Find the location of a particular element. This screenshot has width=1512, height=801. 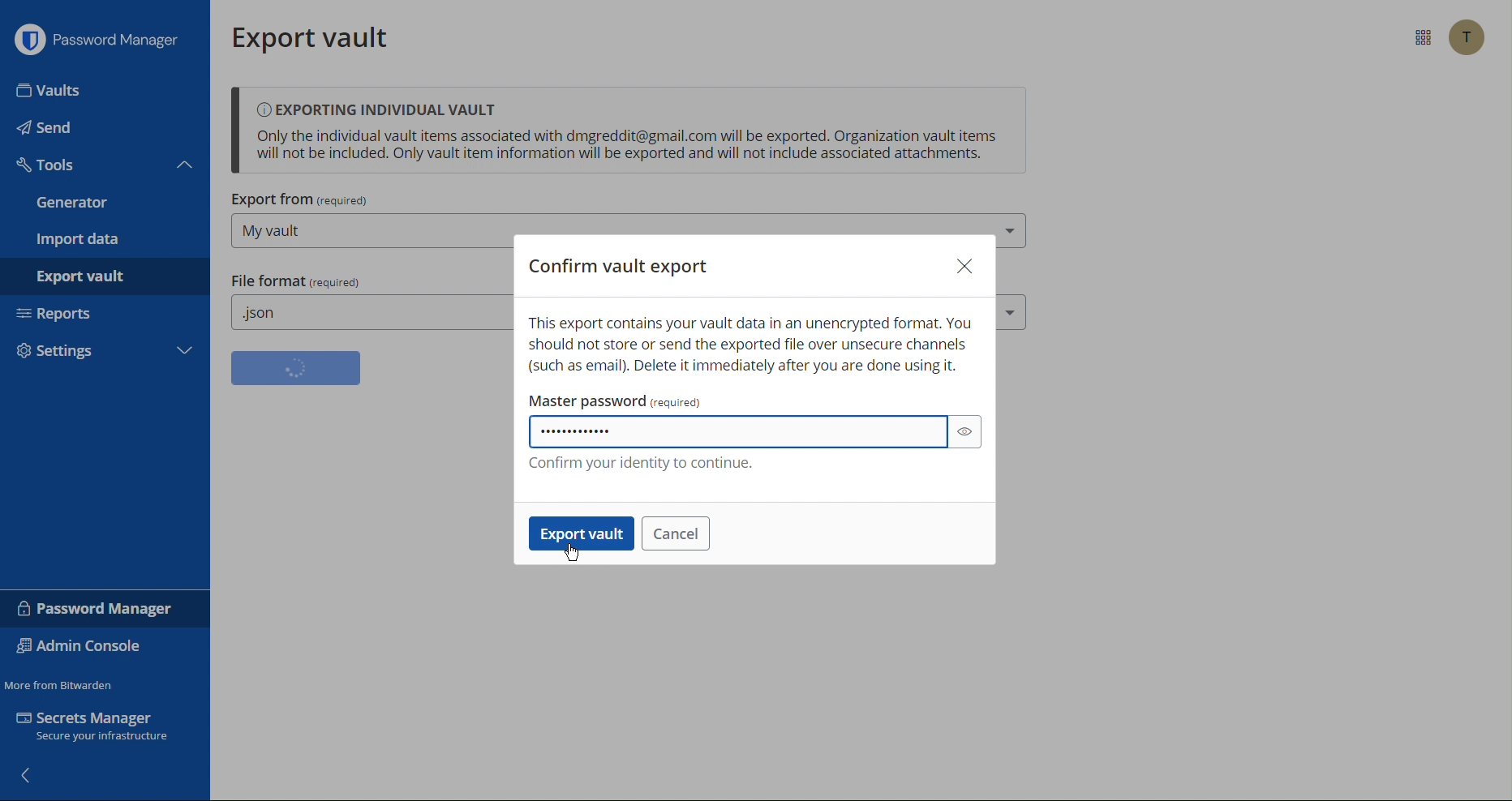

Generator is located at coordinates (109, 204).